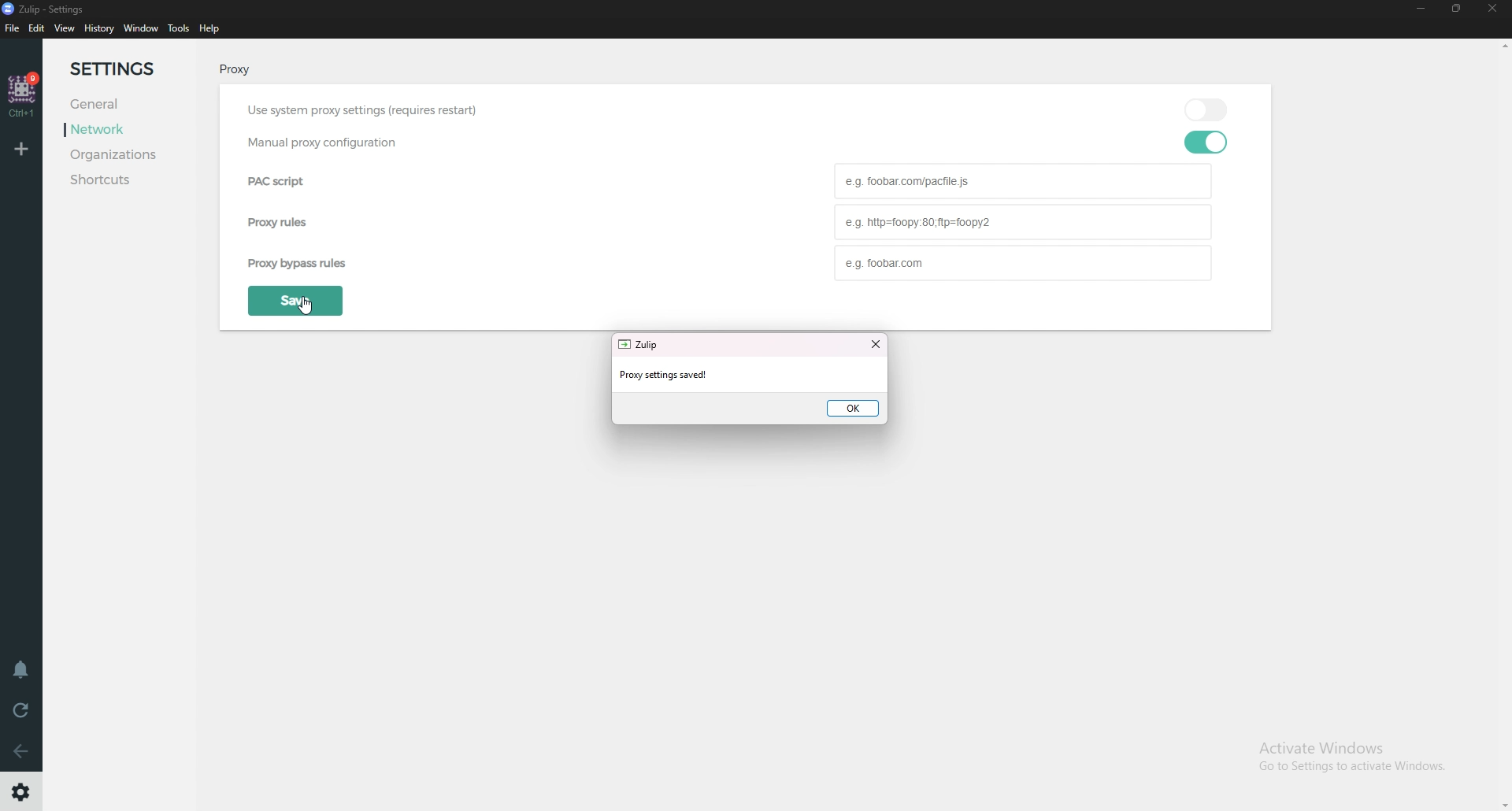  What do you see at coordinates (126, 180) in the screenshot?
I see `Shortcuts` at bounding box center [126, 180].